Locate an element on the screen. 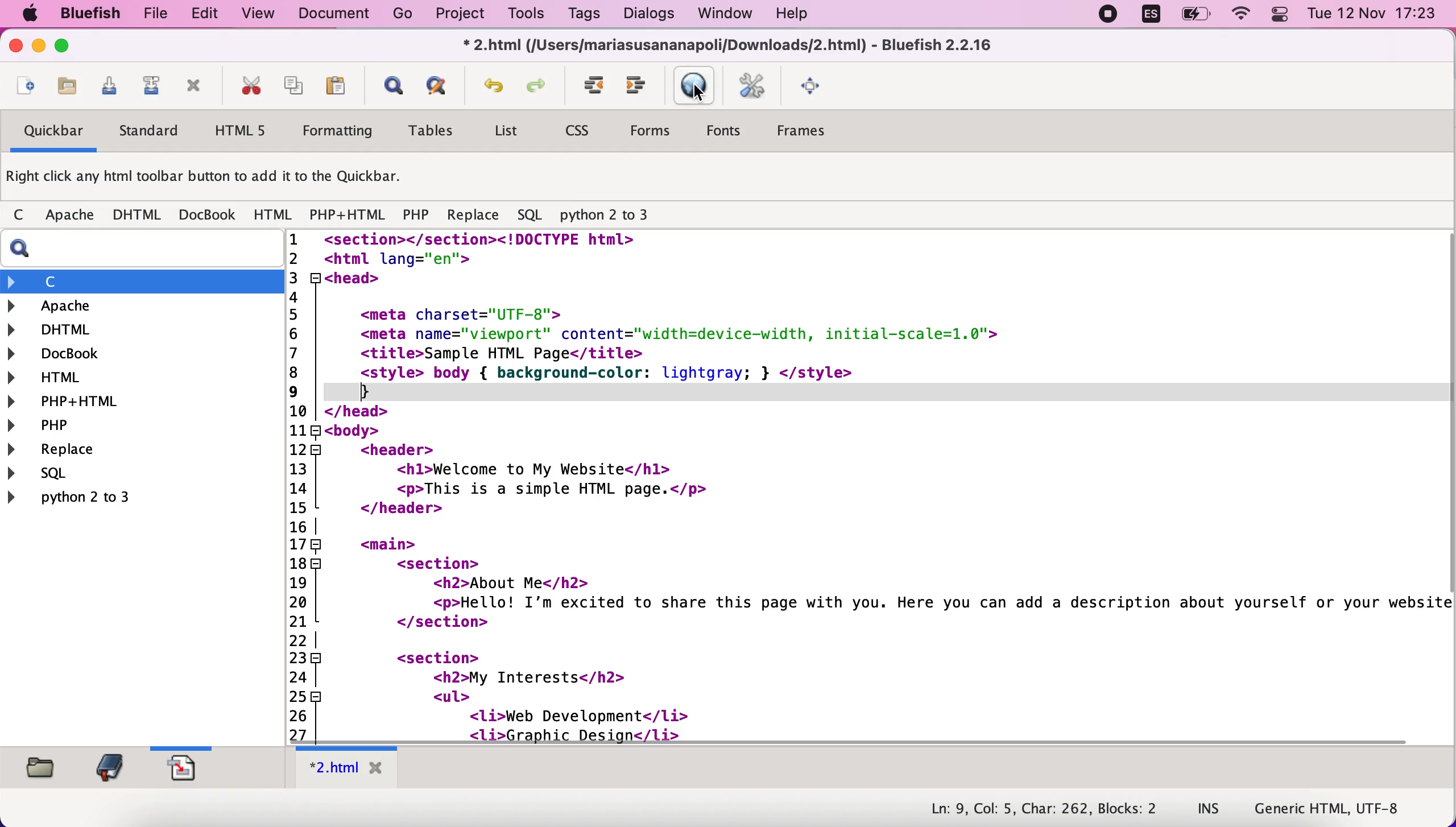 The height and width of the screenshot is (827, 1456). standard is located at coordinates (158, 129).